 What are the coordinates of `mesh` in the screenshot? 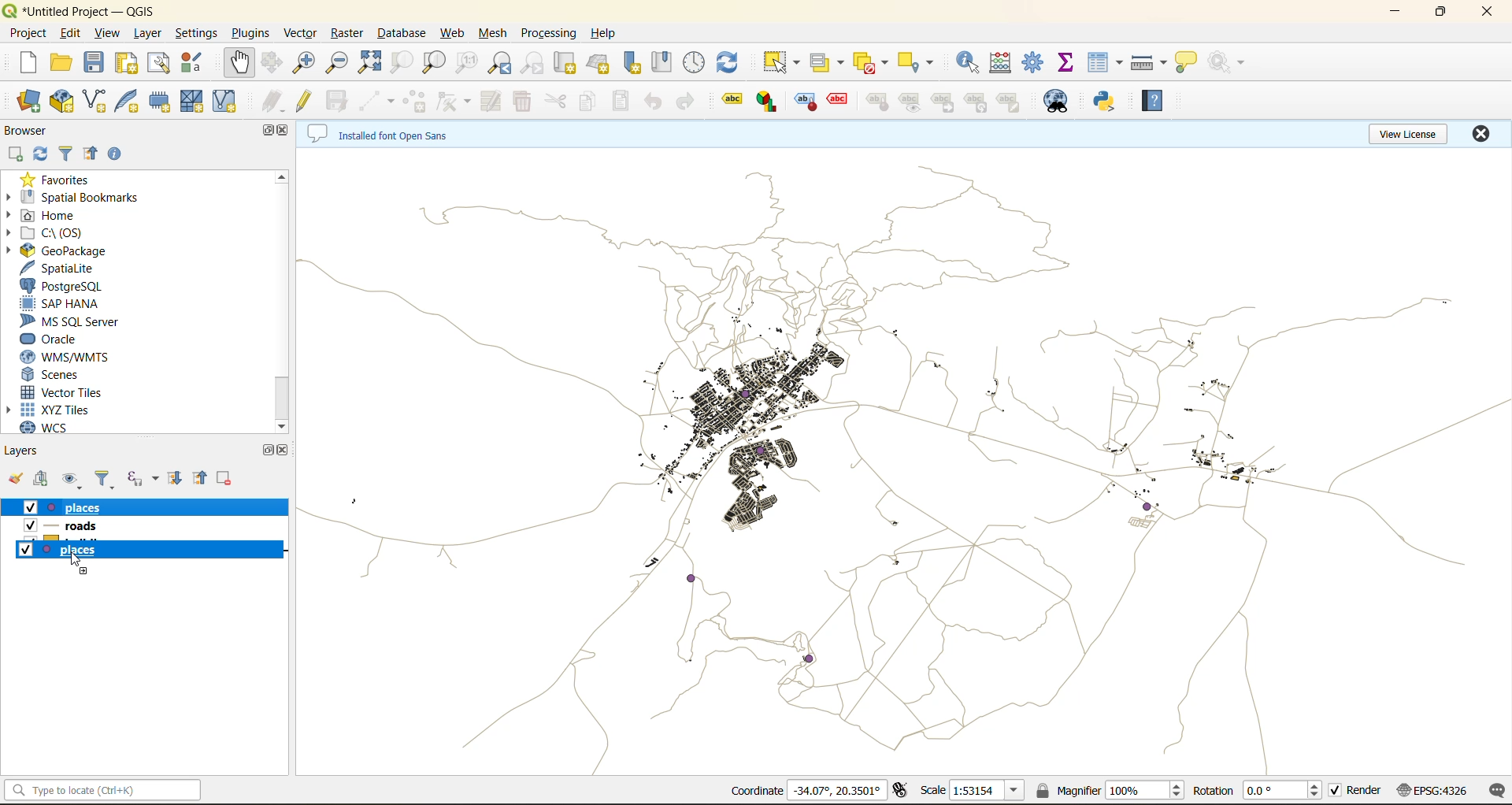 It's located at (490, 34).